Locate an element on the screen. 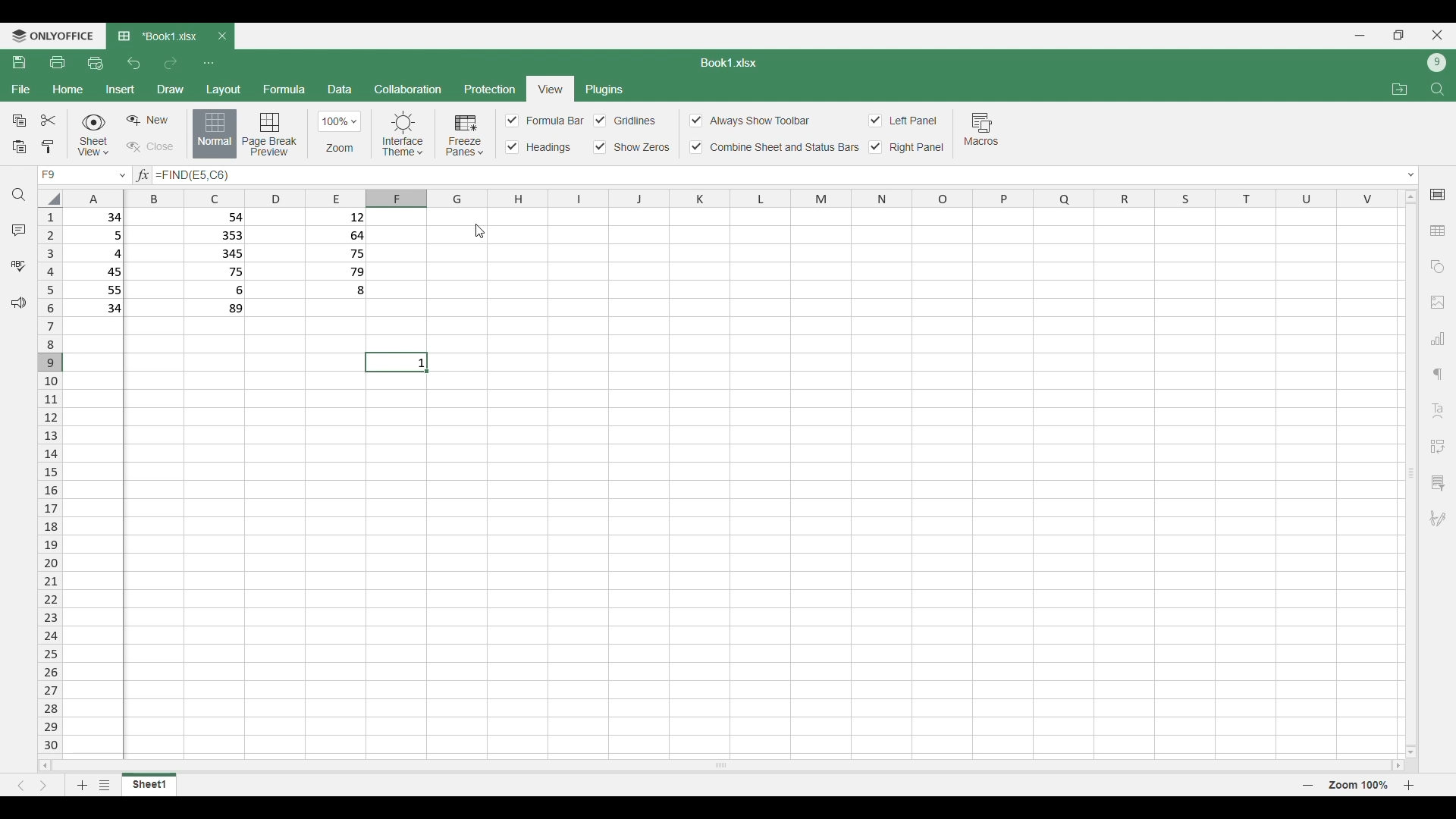 This screenshot has height=819, width=1456. move right is located at coordinates (1394, 765).